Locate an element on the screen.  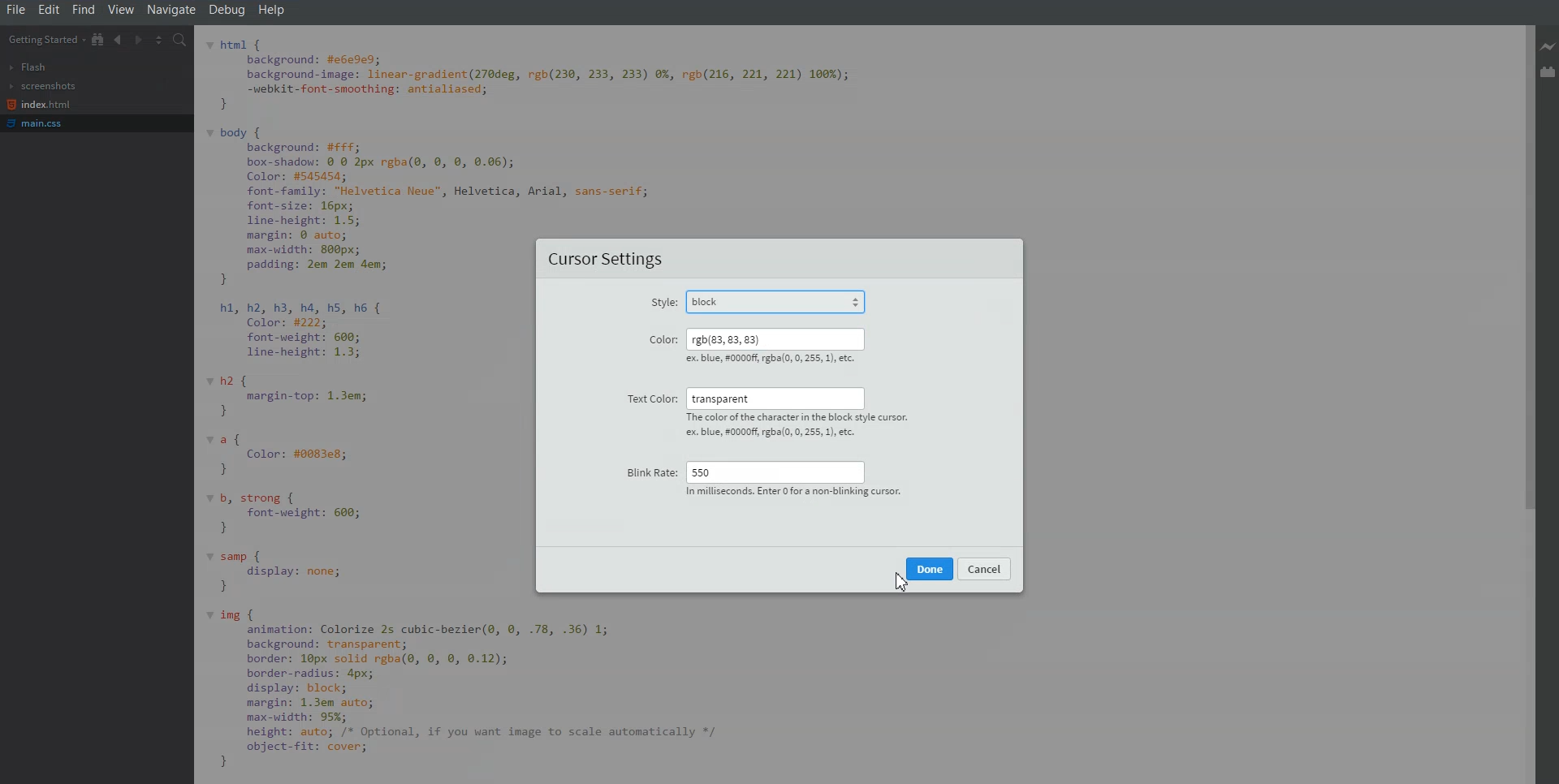
transparent is located at coordinates (775, 398).